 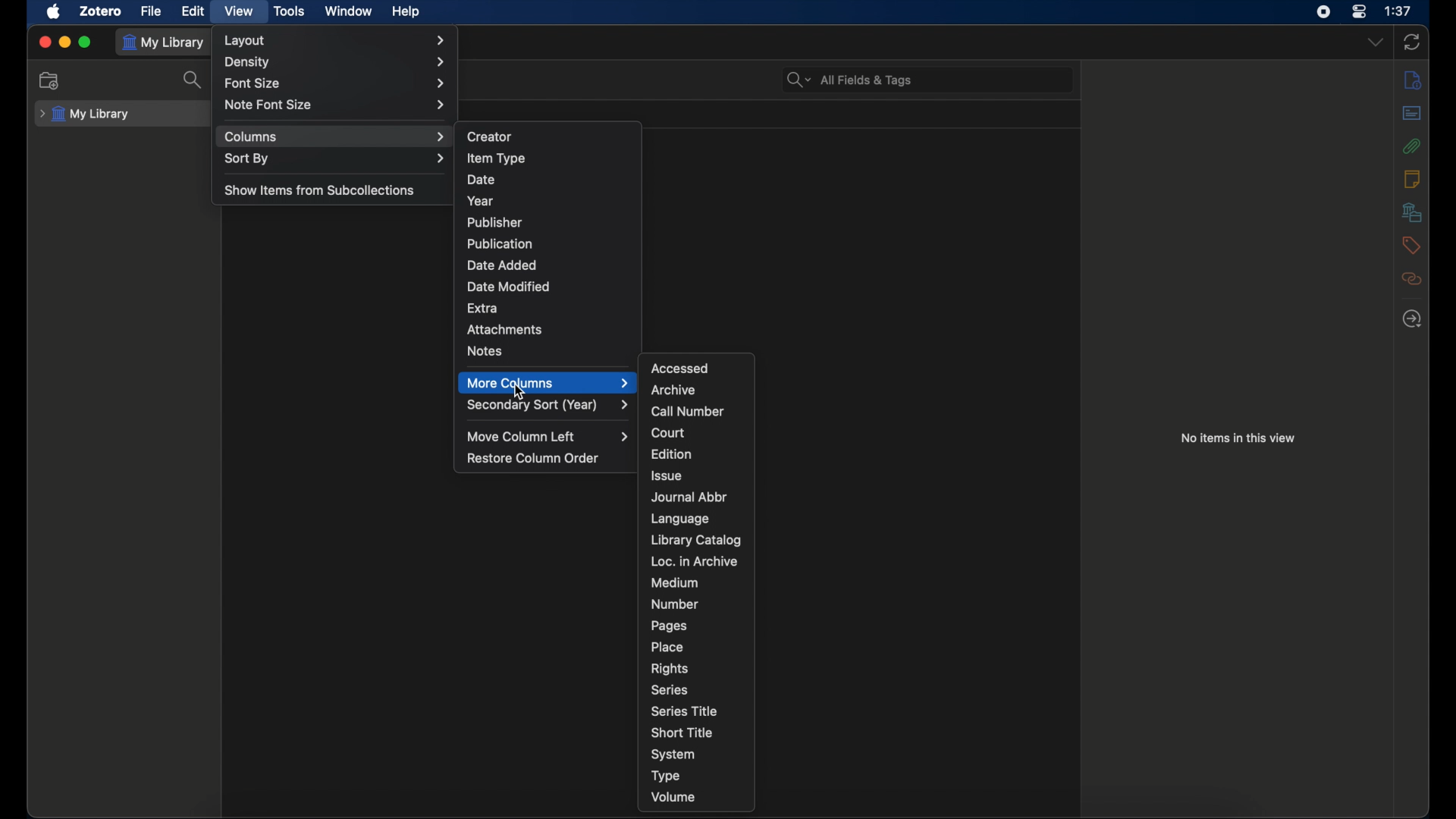 I want to click on dropdown, so click(x=1374, y=42).